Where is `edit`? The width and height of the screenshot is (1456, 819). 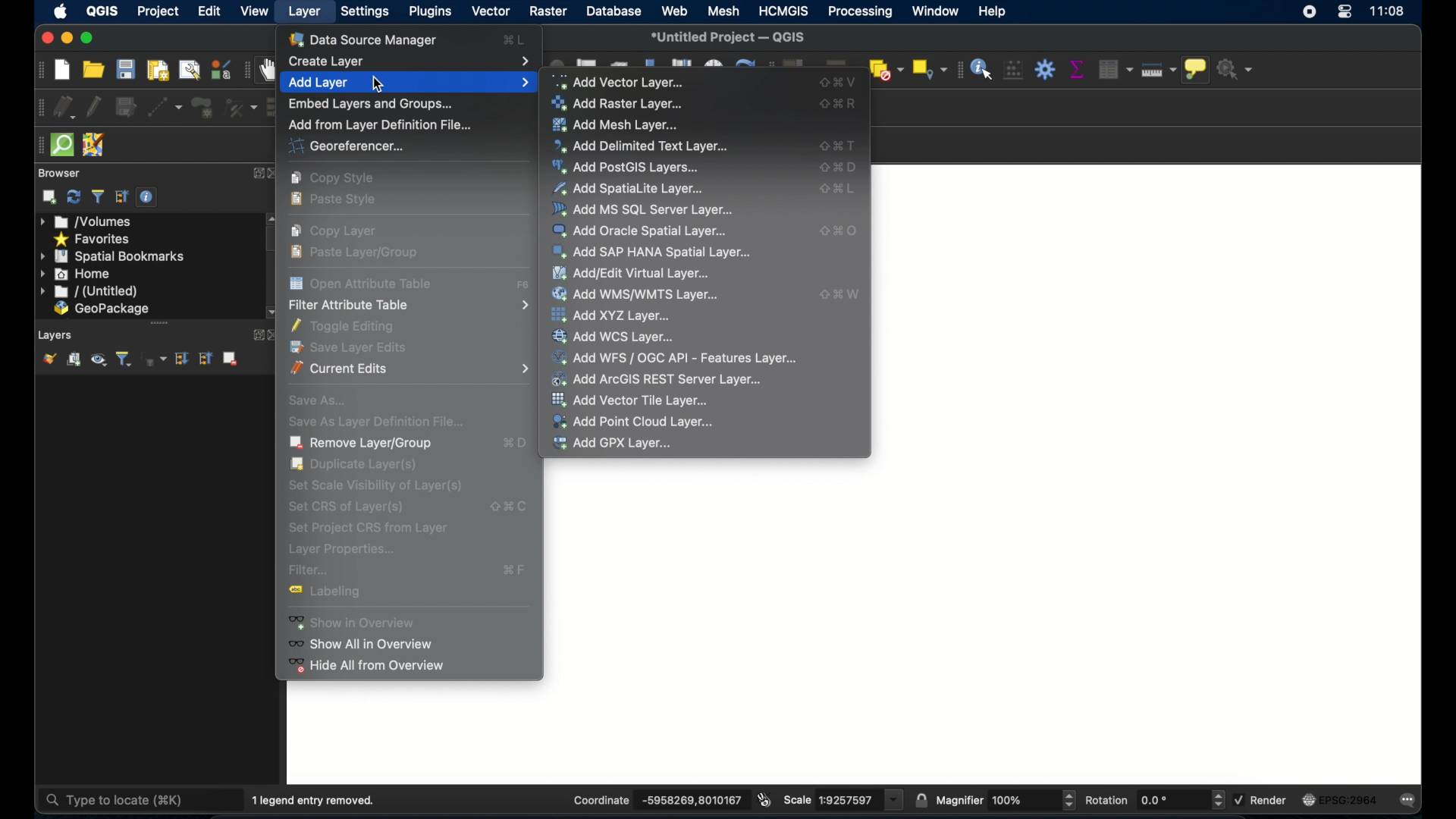 edit is located at coordinates (211, 12).